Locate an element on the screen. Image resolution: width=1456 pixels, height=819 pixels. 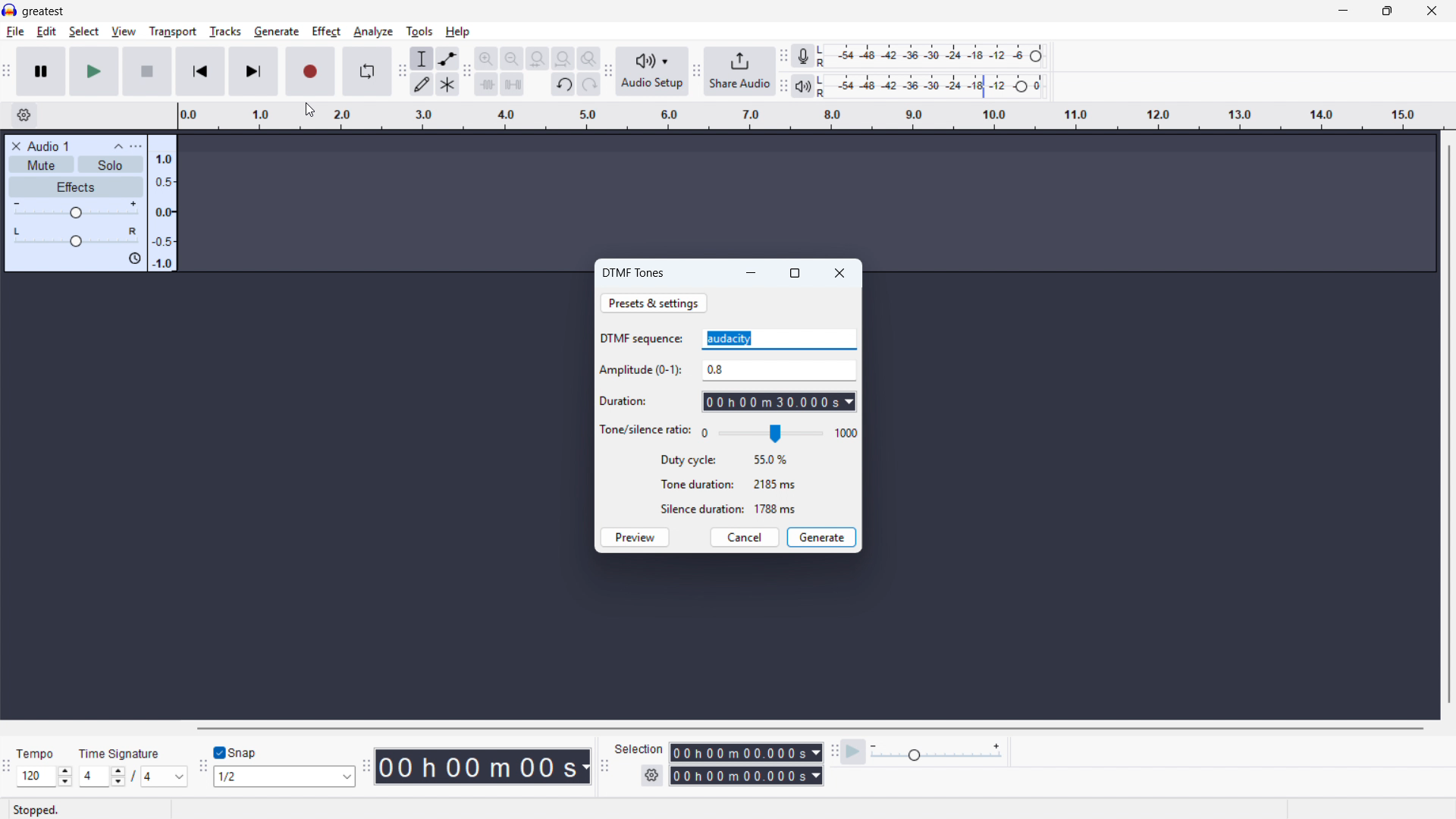
tools is located at coordinates (419, 33).